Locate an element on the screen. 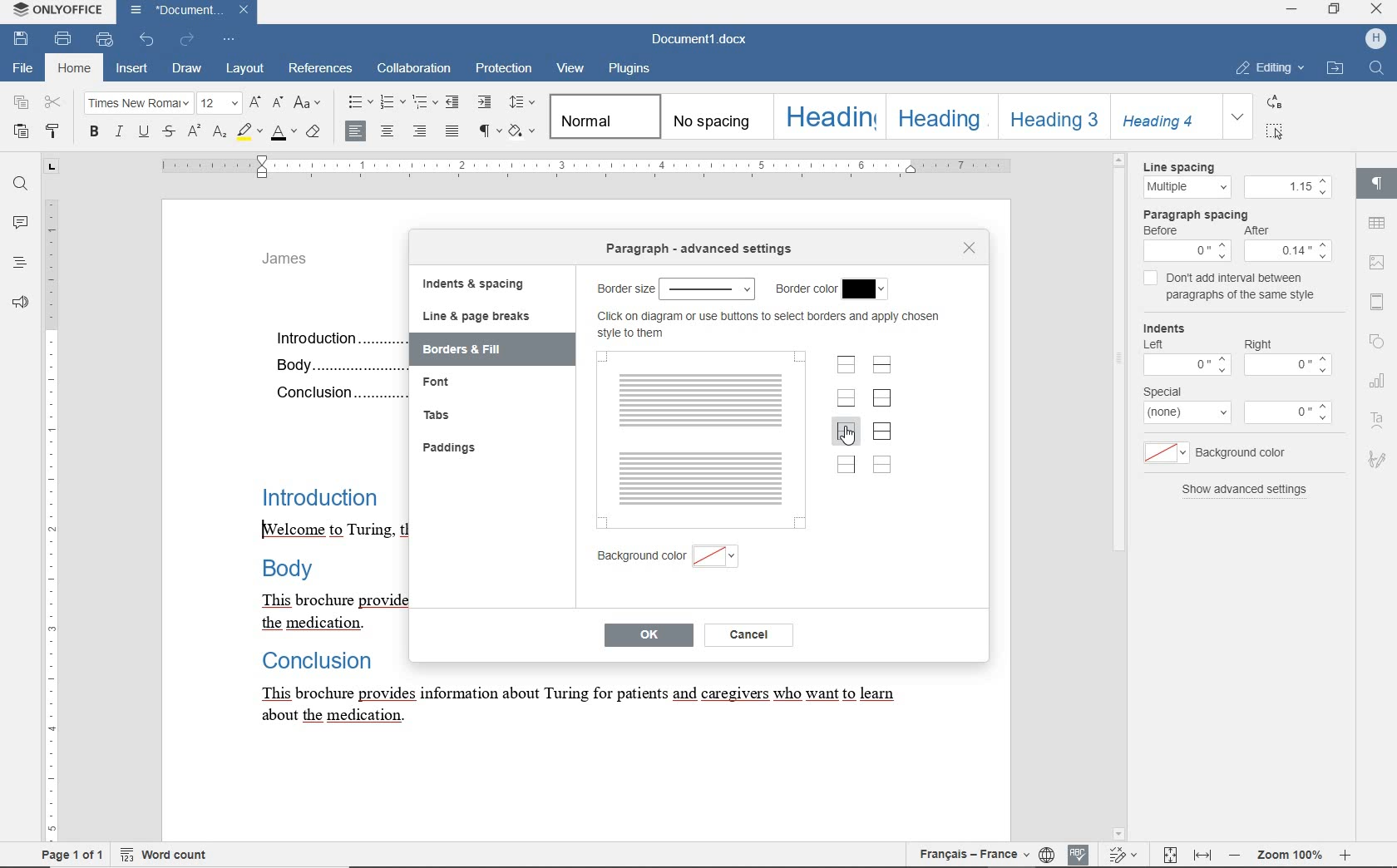 The image size is (1397, 868). After is located at coordinates (1266, 231).